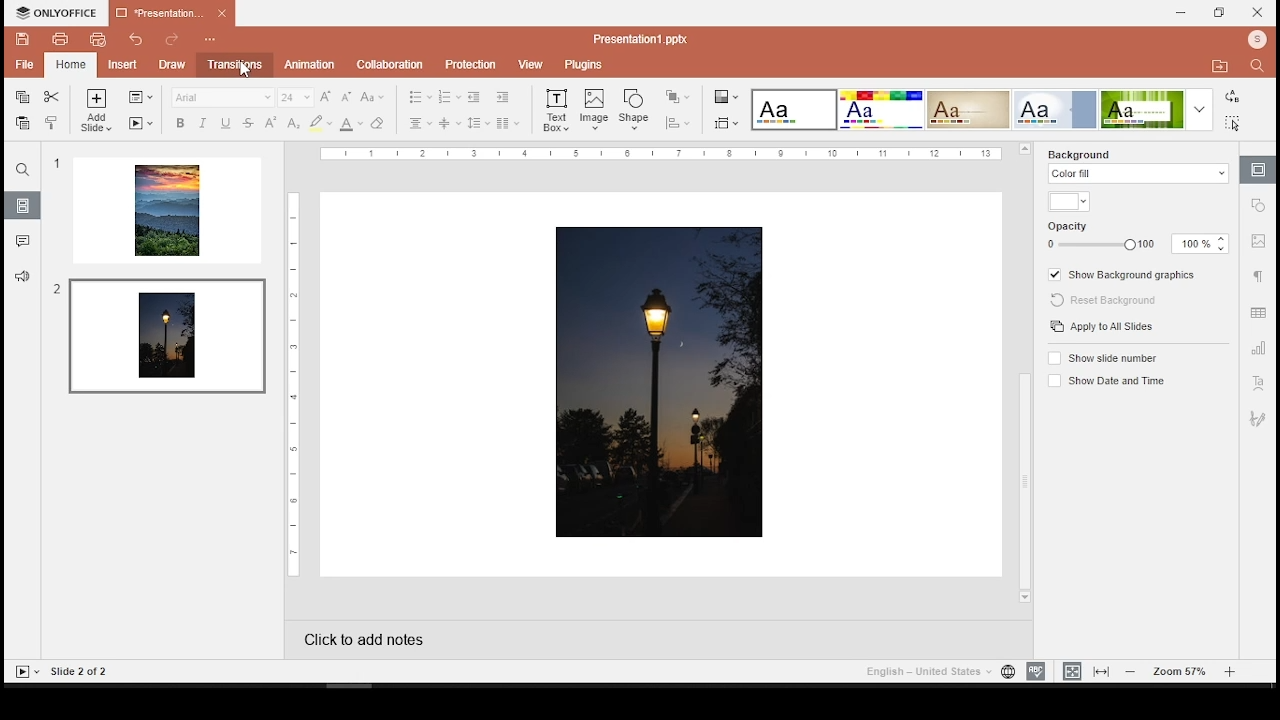  I want to click on text box, so click(556, 112).